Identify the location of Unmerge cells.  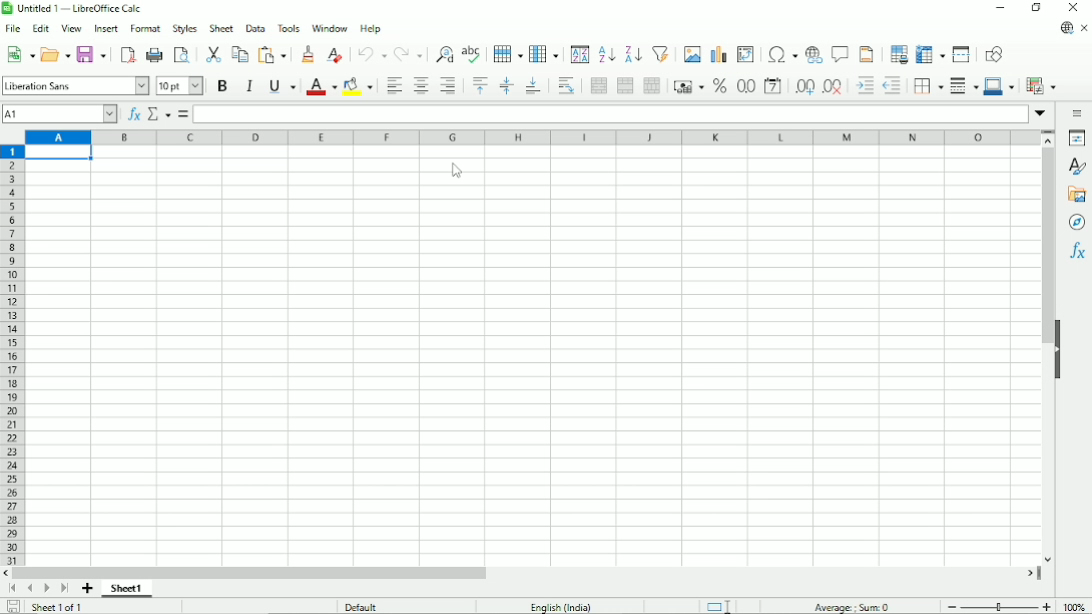
(652, 86).